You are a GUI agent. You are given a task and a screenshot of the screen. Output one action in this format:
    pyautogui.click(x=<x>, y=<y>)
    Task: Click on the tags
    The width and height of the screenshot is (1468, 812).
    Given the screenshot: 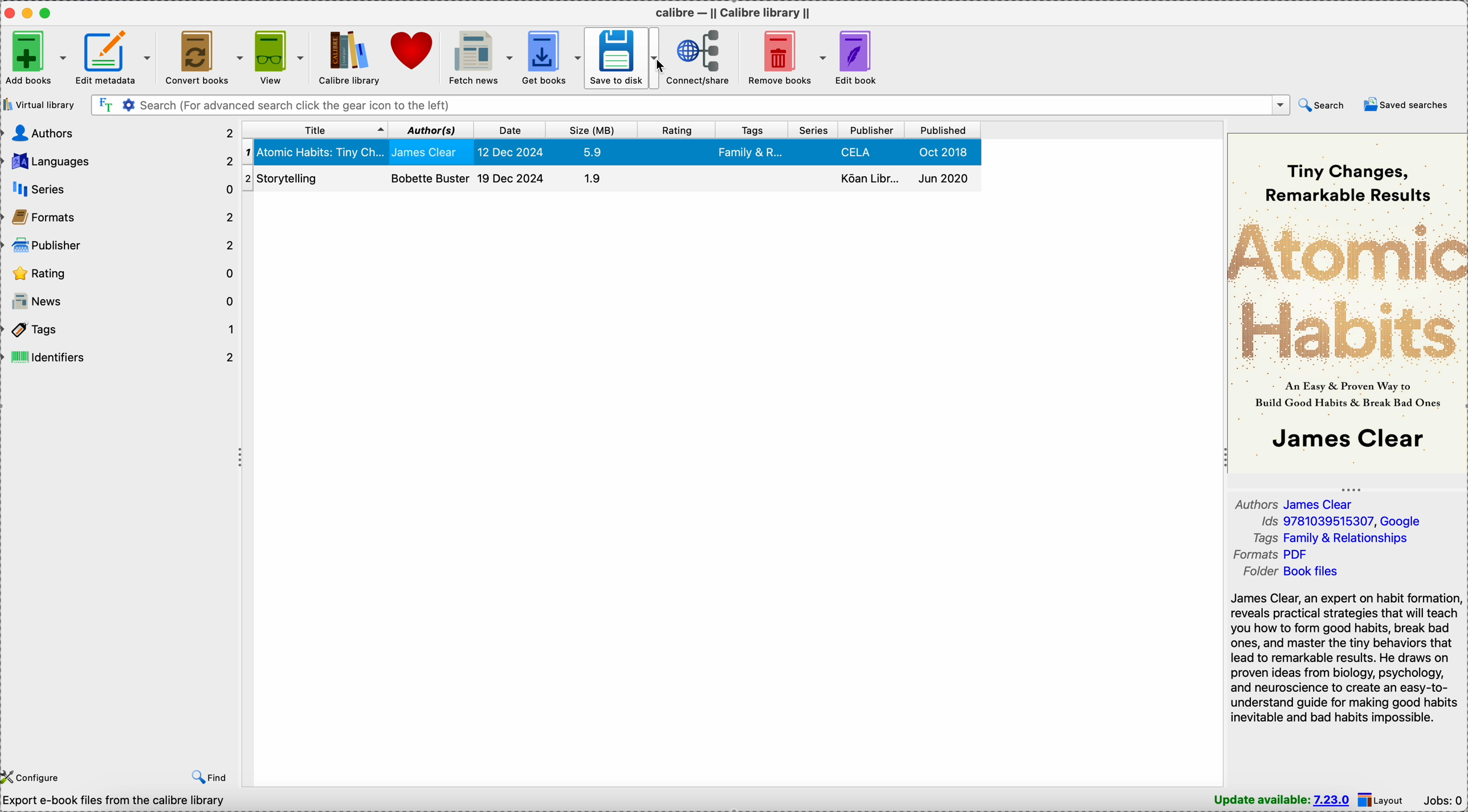 What is the action you would take?
    pyautogui.click(x=121, y=332)
    